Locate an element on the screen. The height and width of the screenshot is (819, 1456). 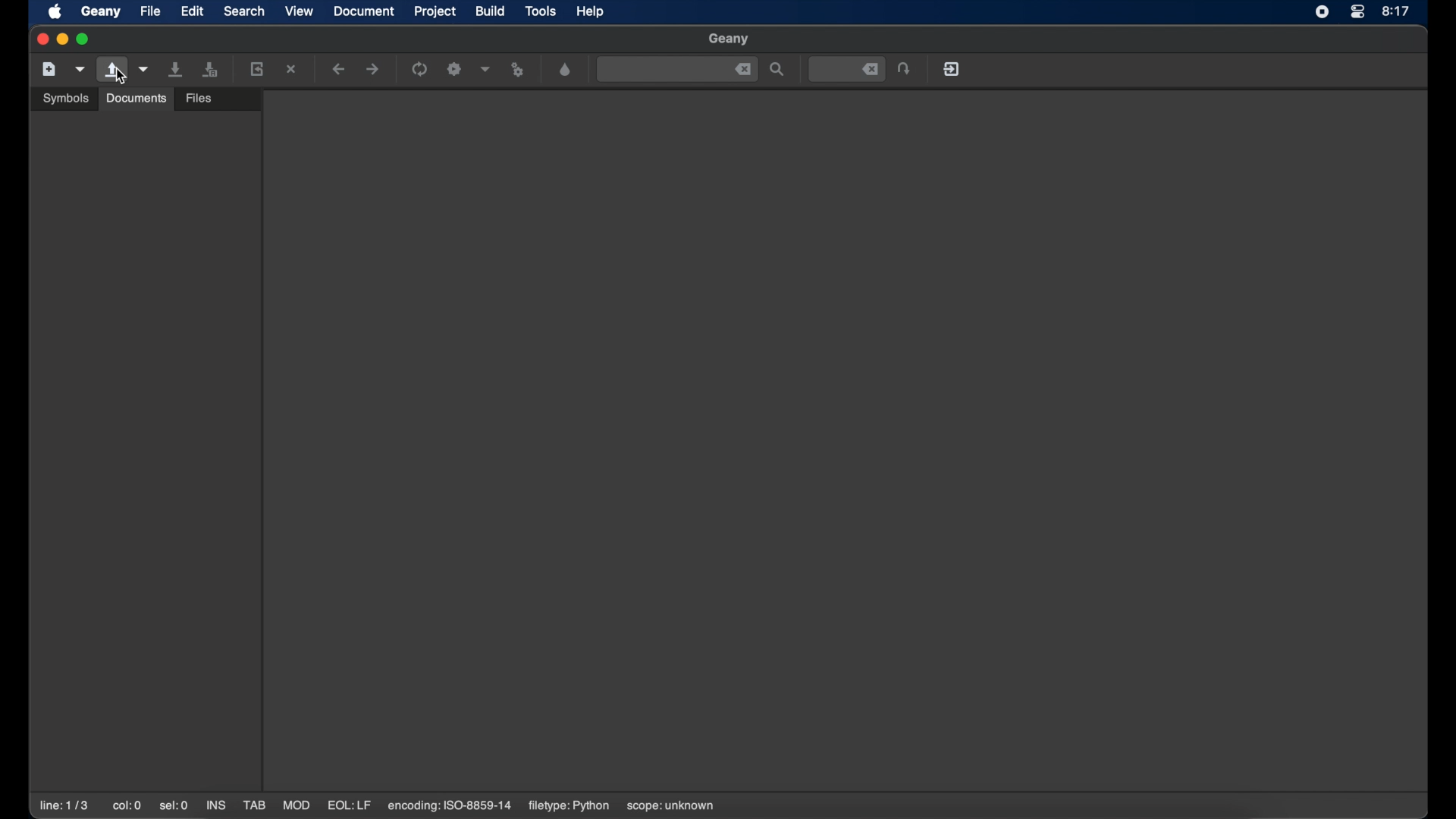
line: 1/3 is located at coordinates (64, 805).